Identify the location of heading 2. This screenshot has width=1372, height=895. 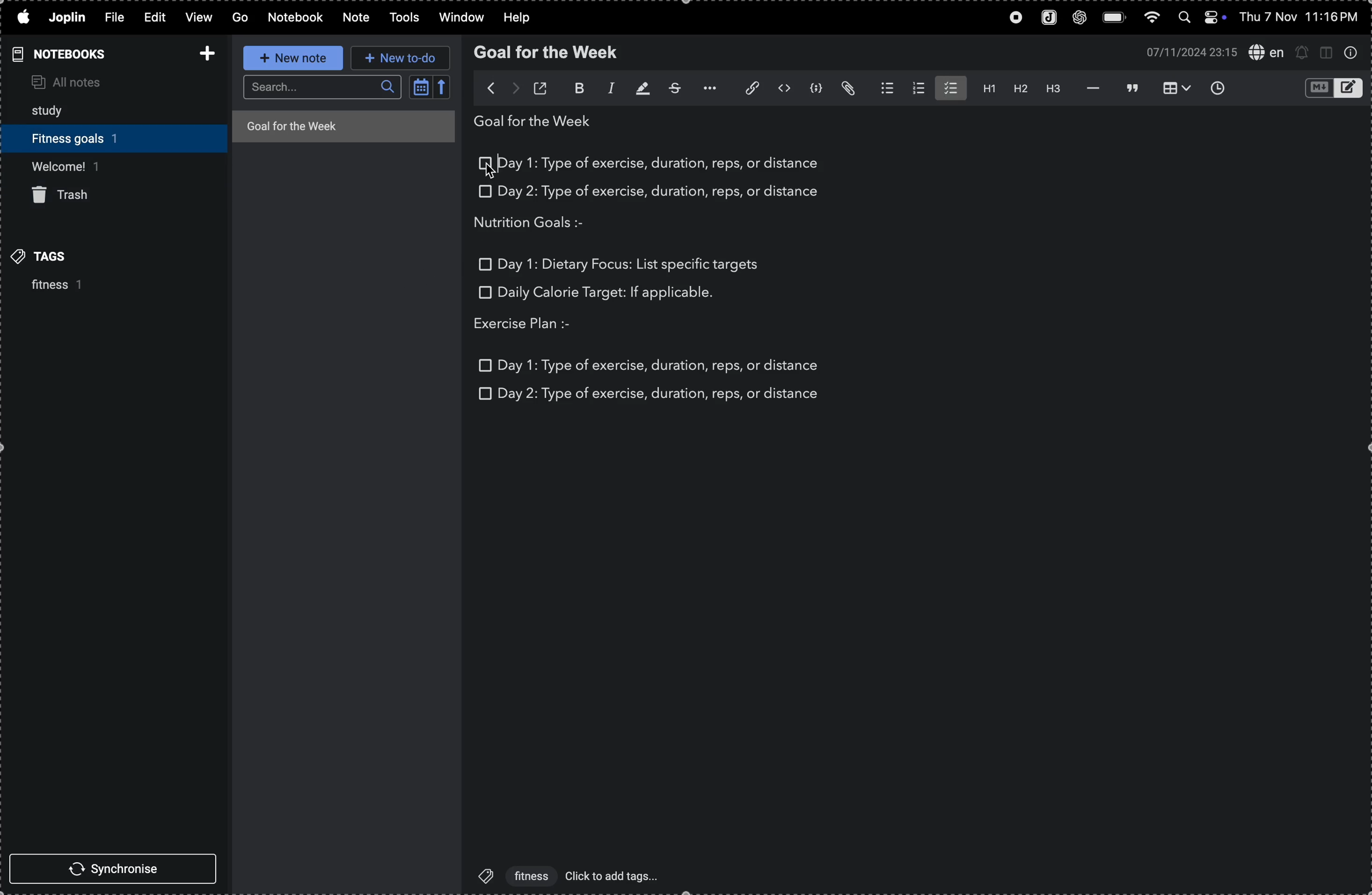
(1017, 88).